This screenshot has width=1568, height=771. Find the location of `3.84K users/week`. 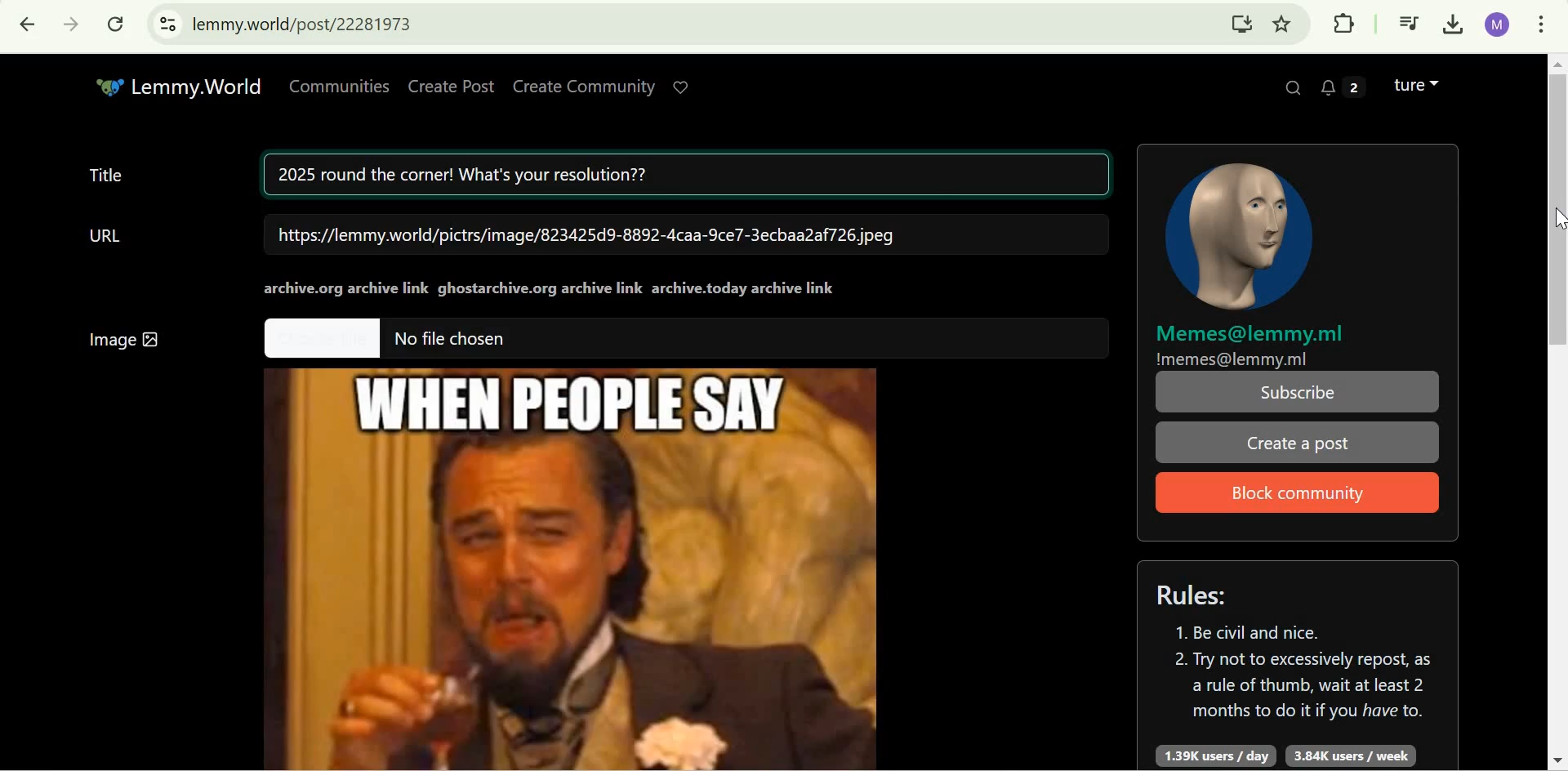

3.84K users/week is located at coordinates (1349, 756).